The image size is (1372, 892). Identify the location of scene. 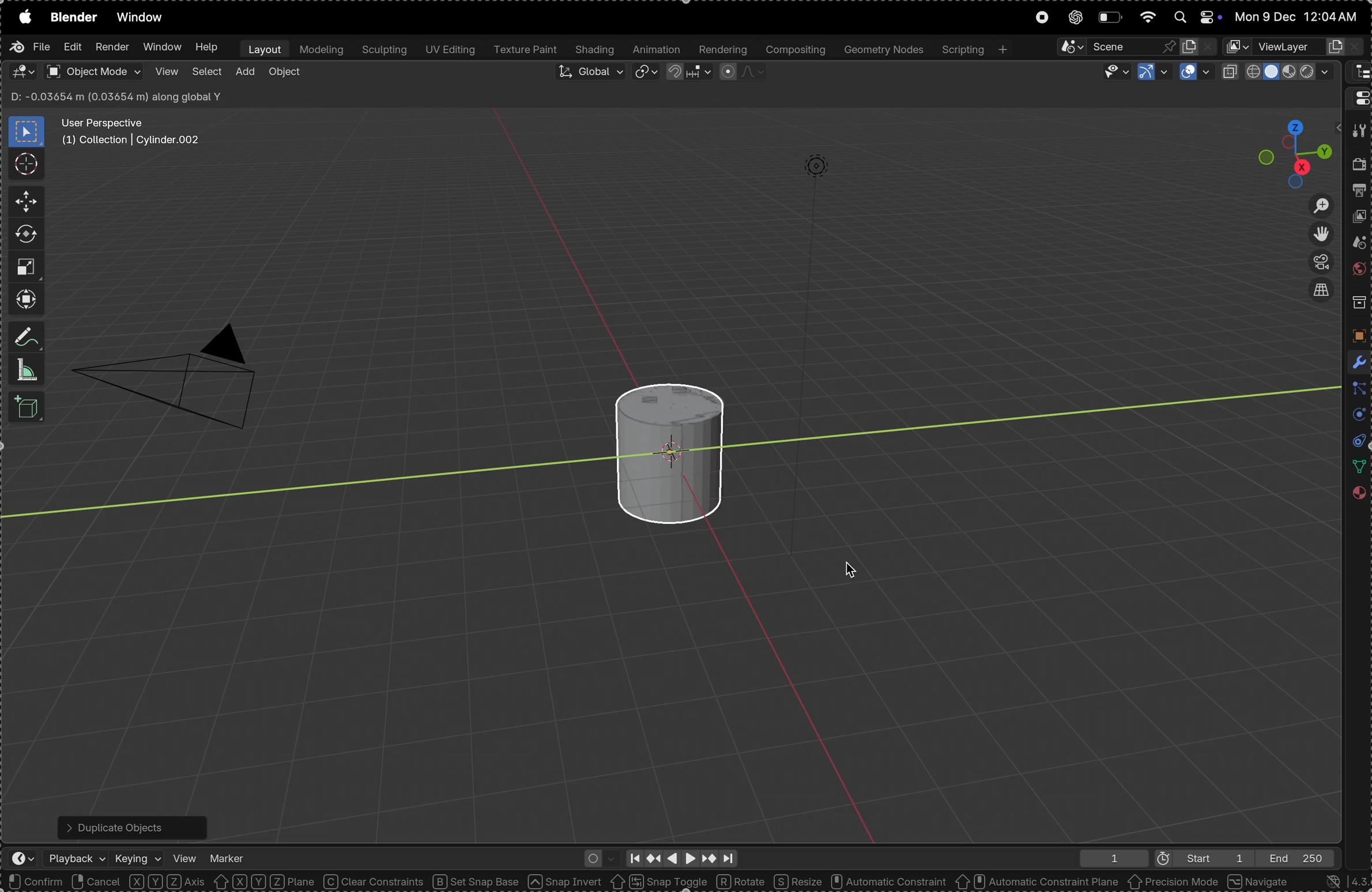
(1356, 245).